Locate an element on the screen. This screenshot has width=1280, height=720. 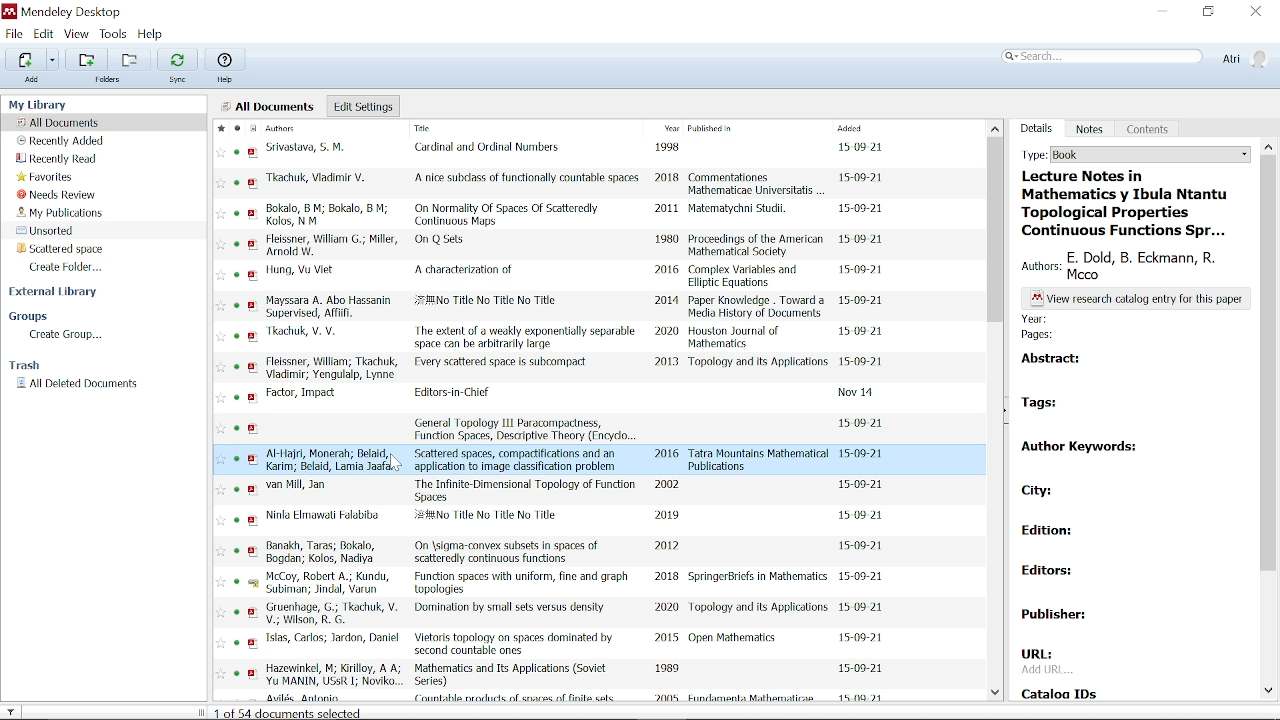
Groups is located at coordinates (30, 317).